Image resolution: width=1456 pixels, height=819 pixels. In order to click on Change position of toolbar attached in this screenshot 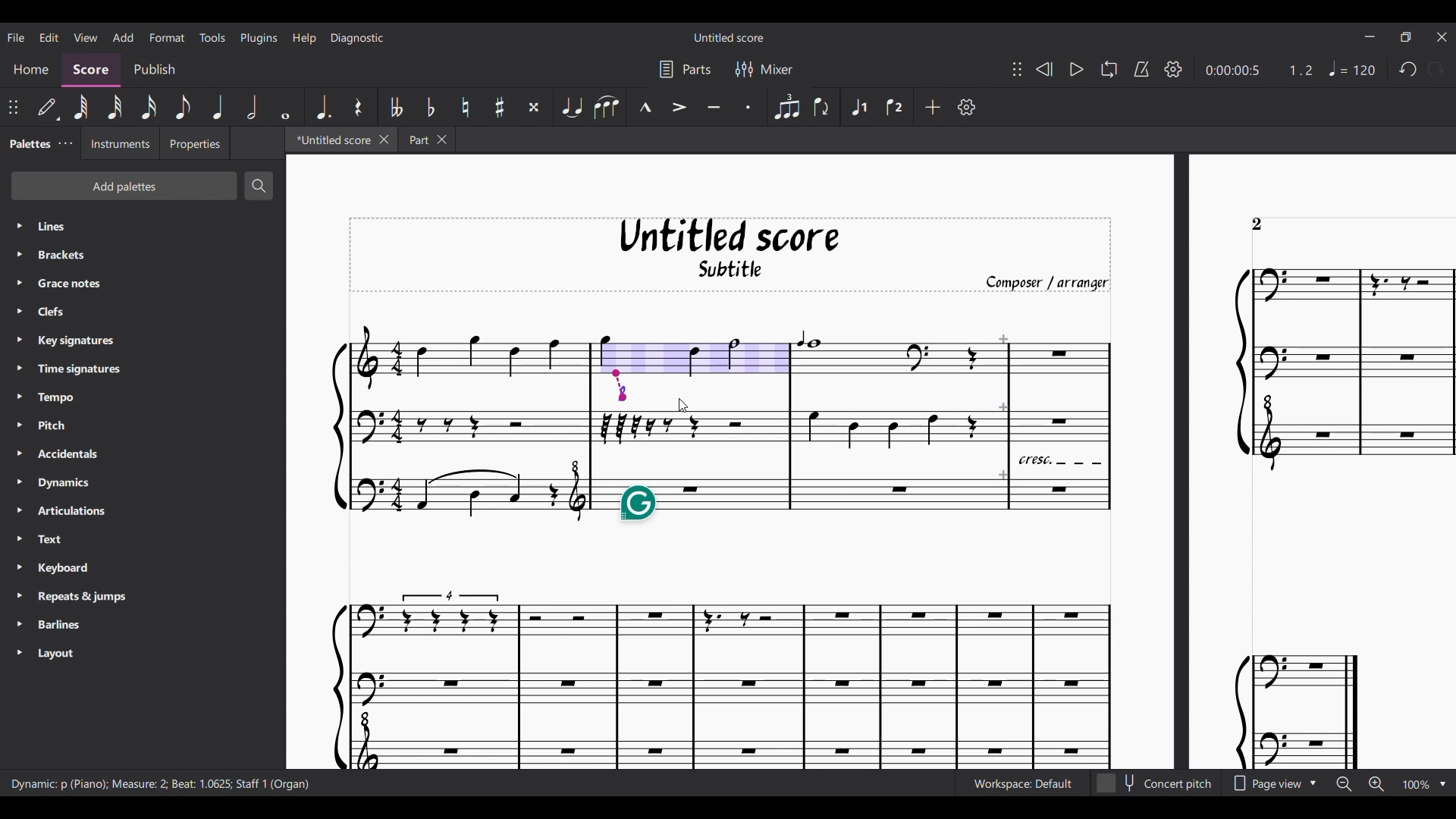, I will do `click(13, 107)`.